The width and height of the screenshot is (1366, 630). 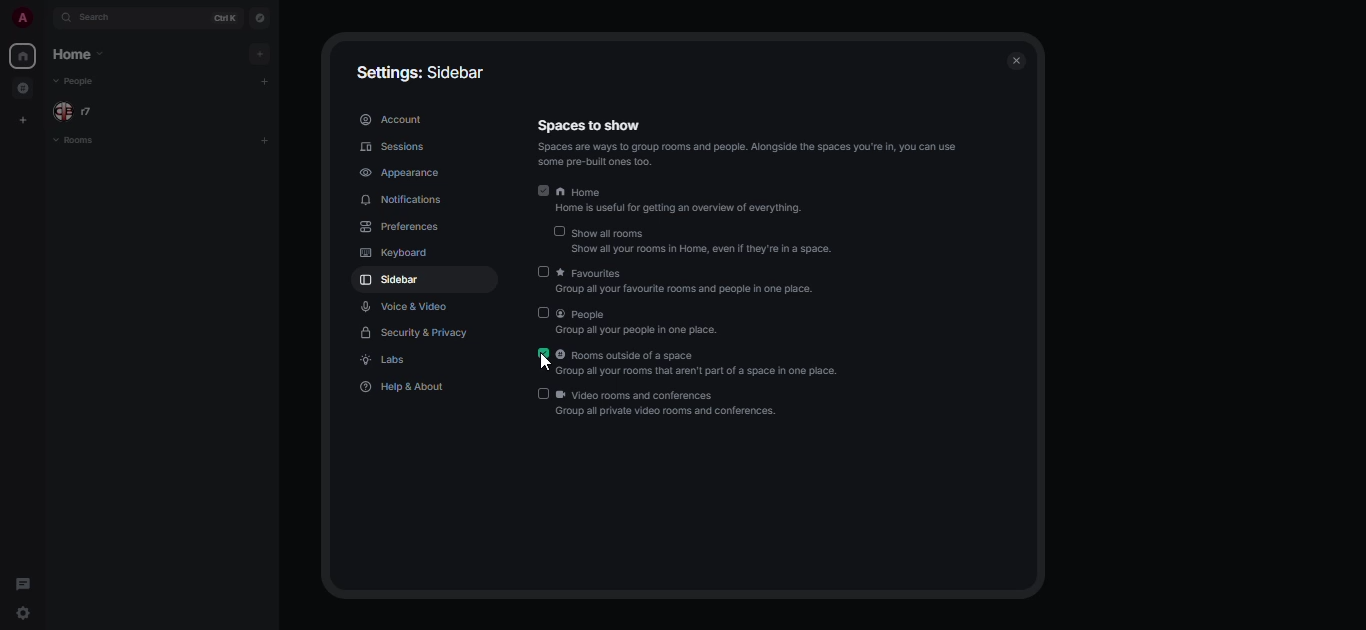 I want to click on home, so click(x=22, y=55).